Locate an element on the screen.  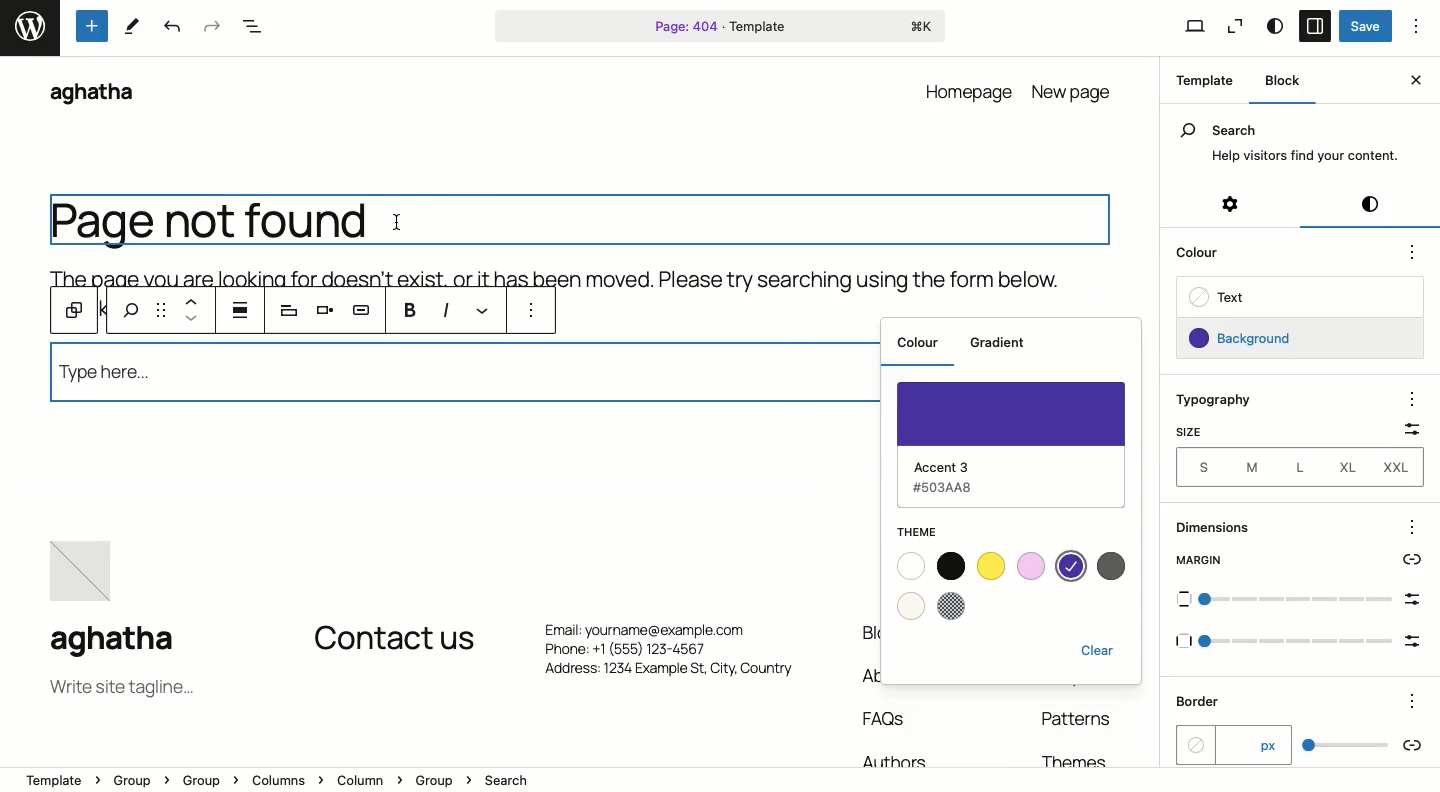
Size is located at coordinates (1192, 431).